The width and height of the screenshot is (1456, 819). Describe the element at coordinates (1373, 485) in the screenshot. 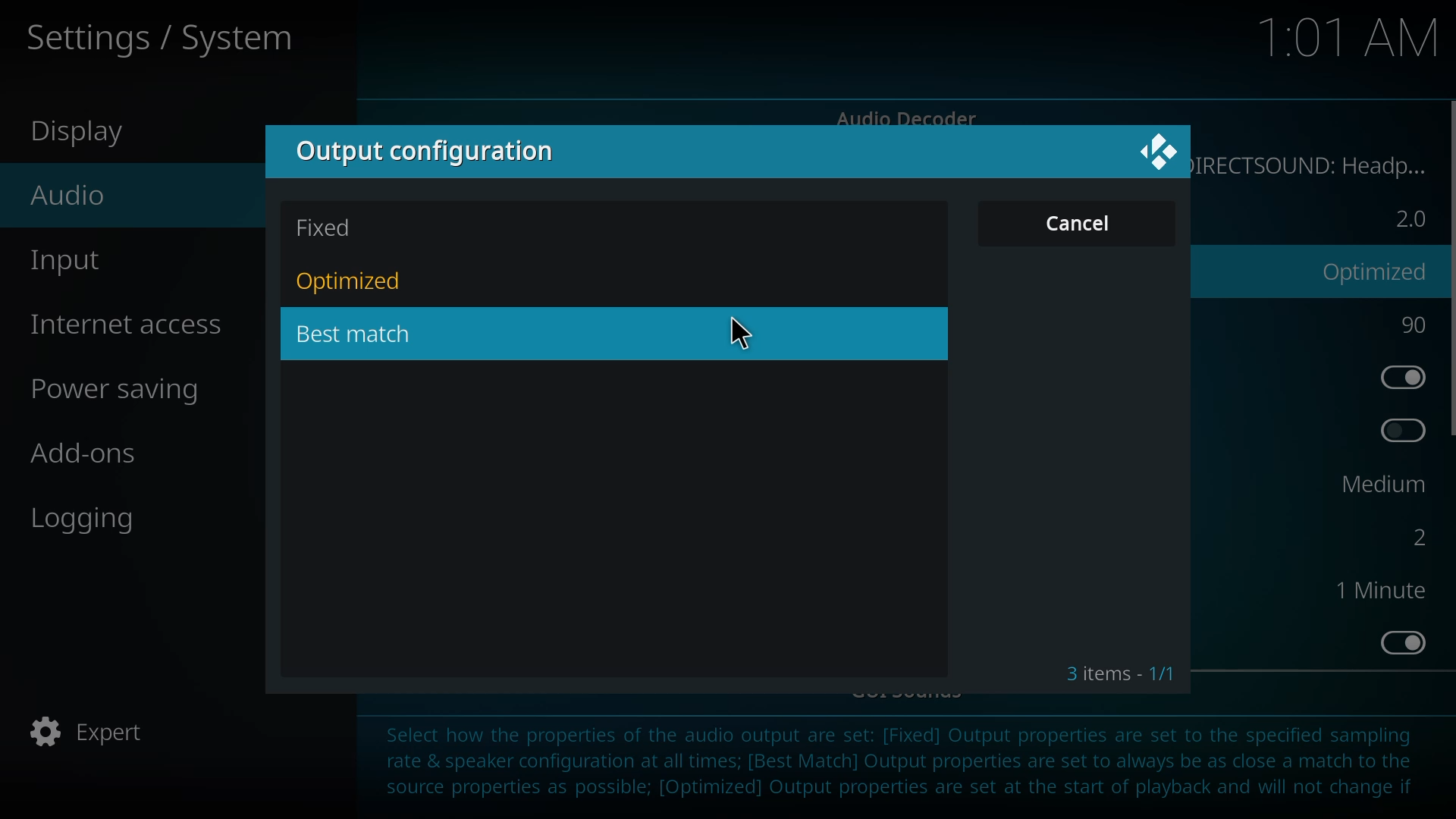

I see `medium` at that location.